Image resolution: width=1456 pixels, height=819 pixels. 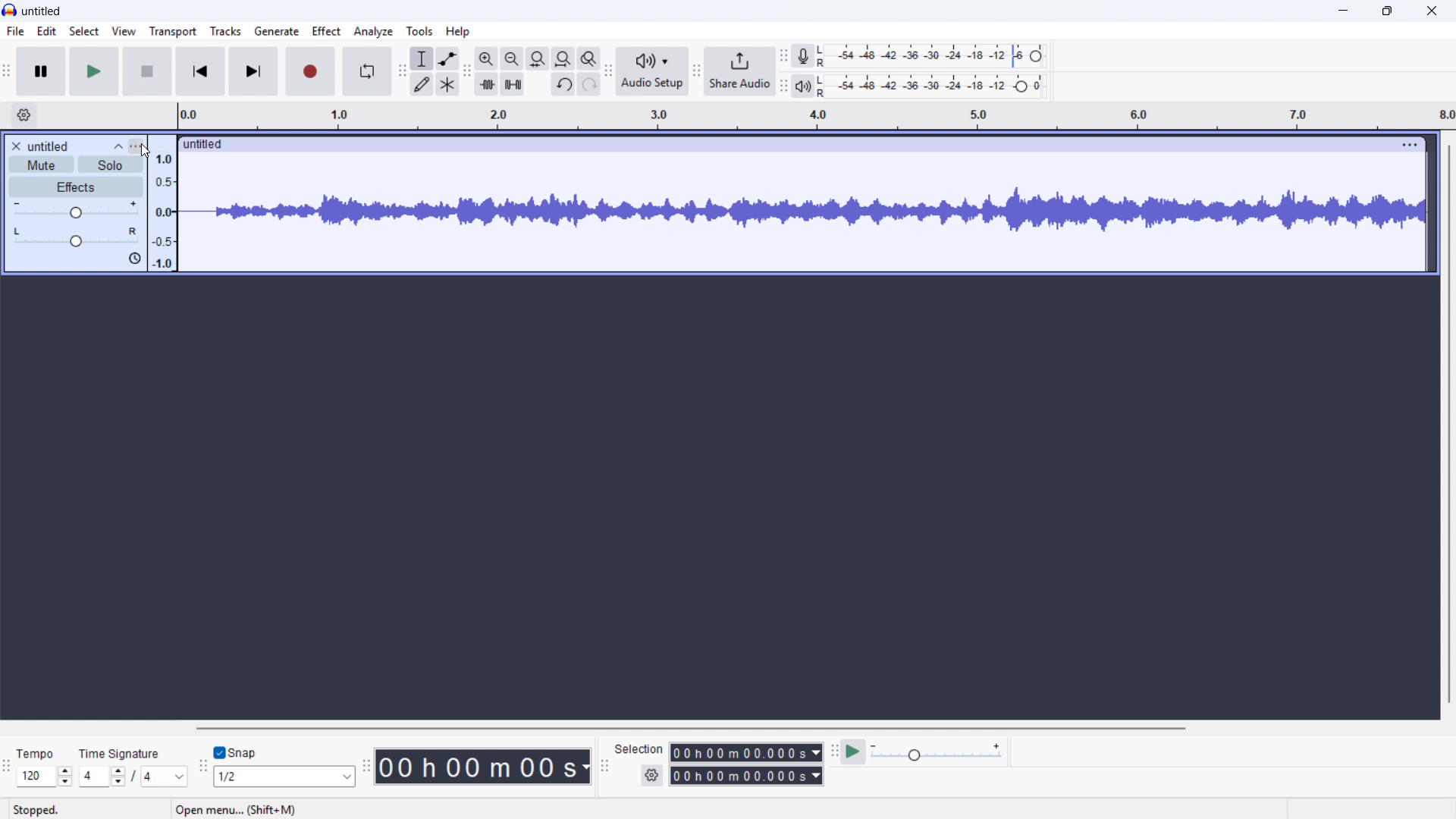 What do you see at coordinates (95, 72) in the screenshot?
I see `play ` at bounding box center [95, 72].